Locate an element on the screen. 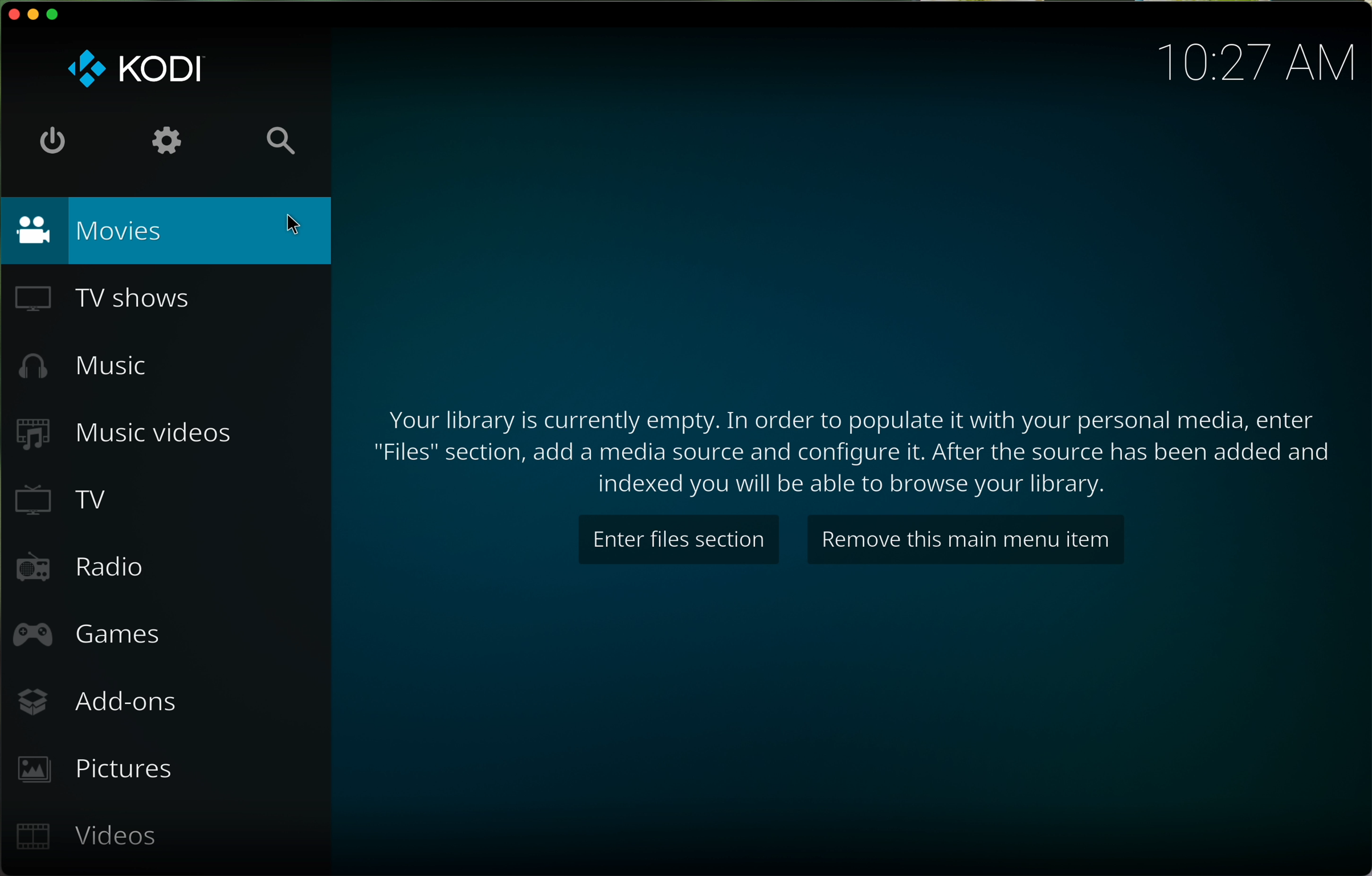 This screenshot has height=876, width=1372. music button is located at coordinates (82, 367).